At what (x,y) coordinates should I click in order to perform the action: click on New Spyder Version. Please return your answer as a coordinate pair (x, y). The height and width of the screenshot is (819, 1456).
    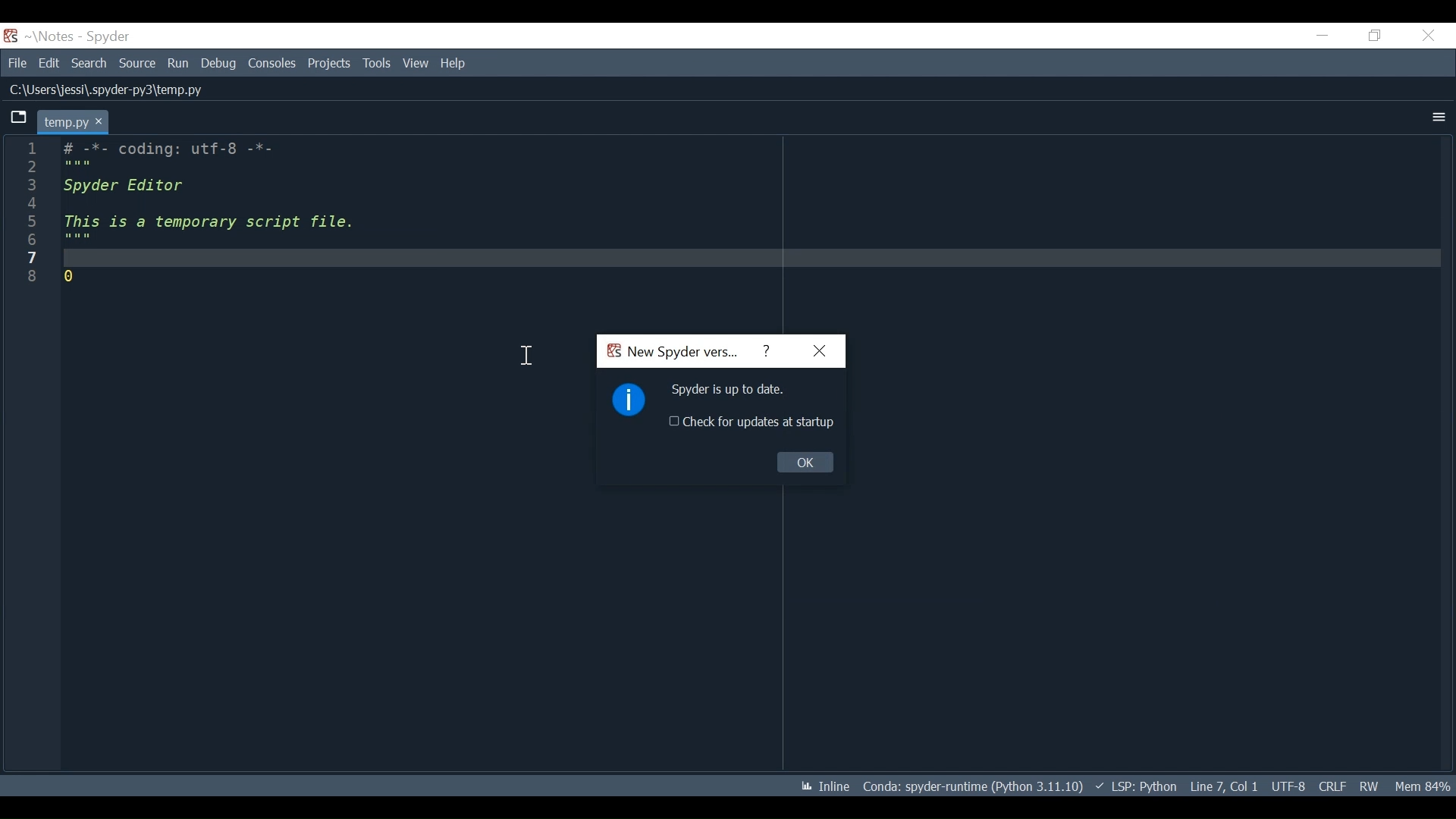
    Looking at the image, I should click on (685, 352).